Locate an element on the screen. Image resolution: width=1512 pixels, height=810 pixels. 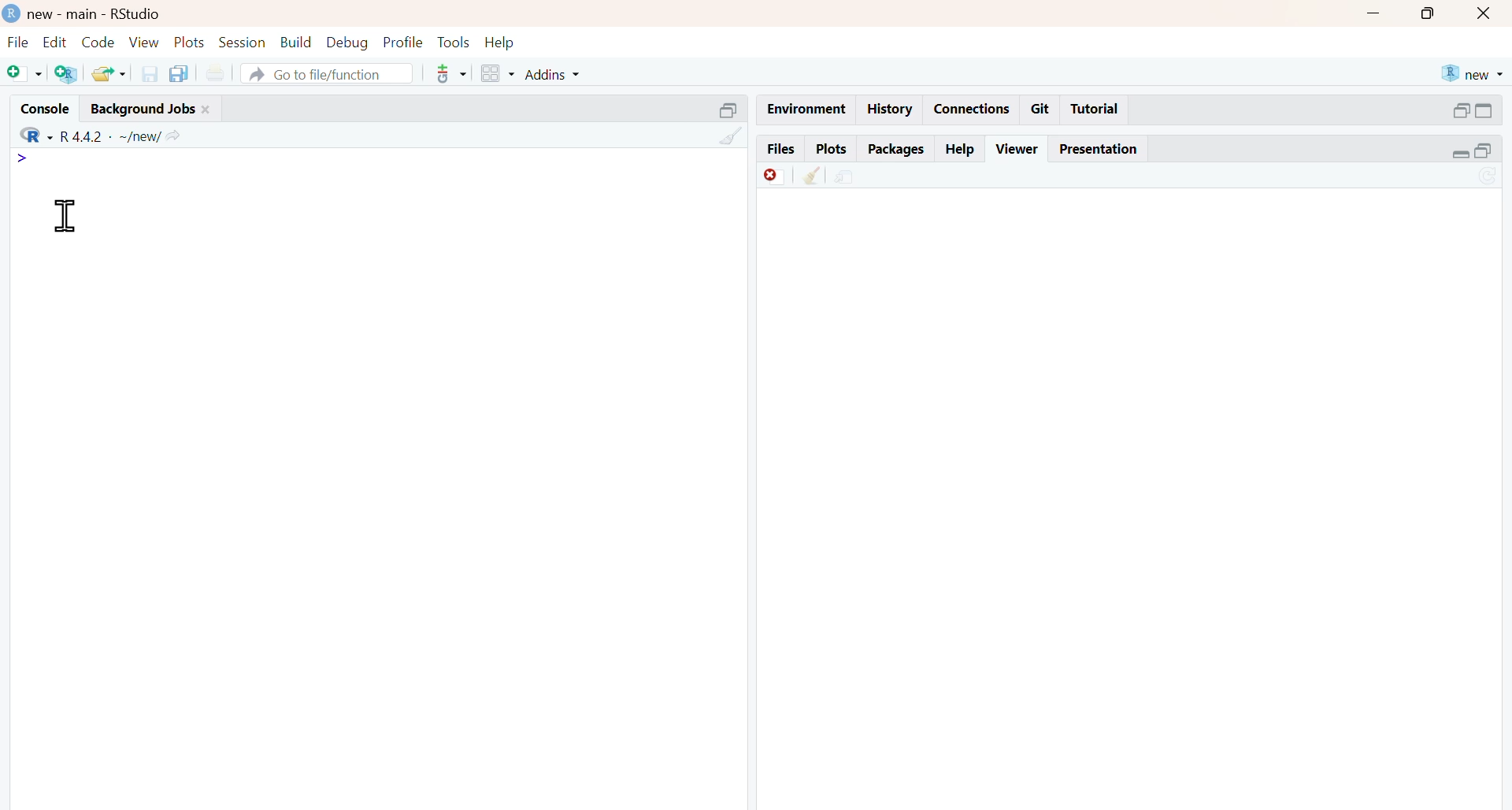
plots is located at coordinates (189, 43).